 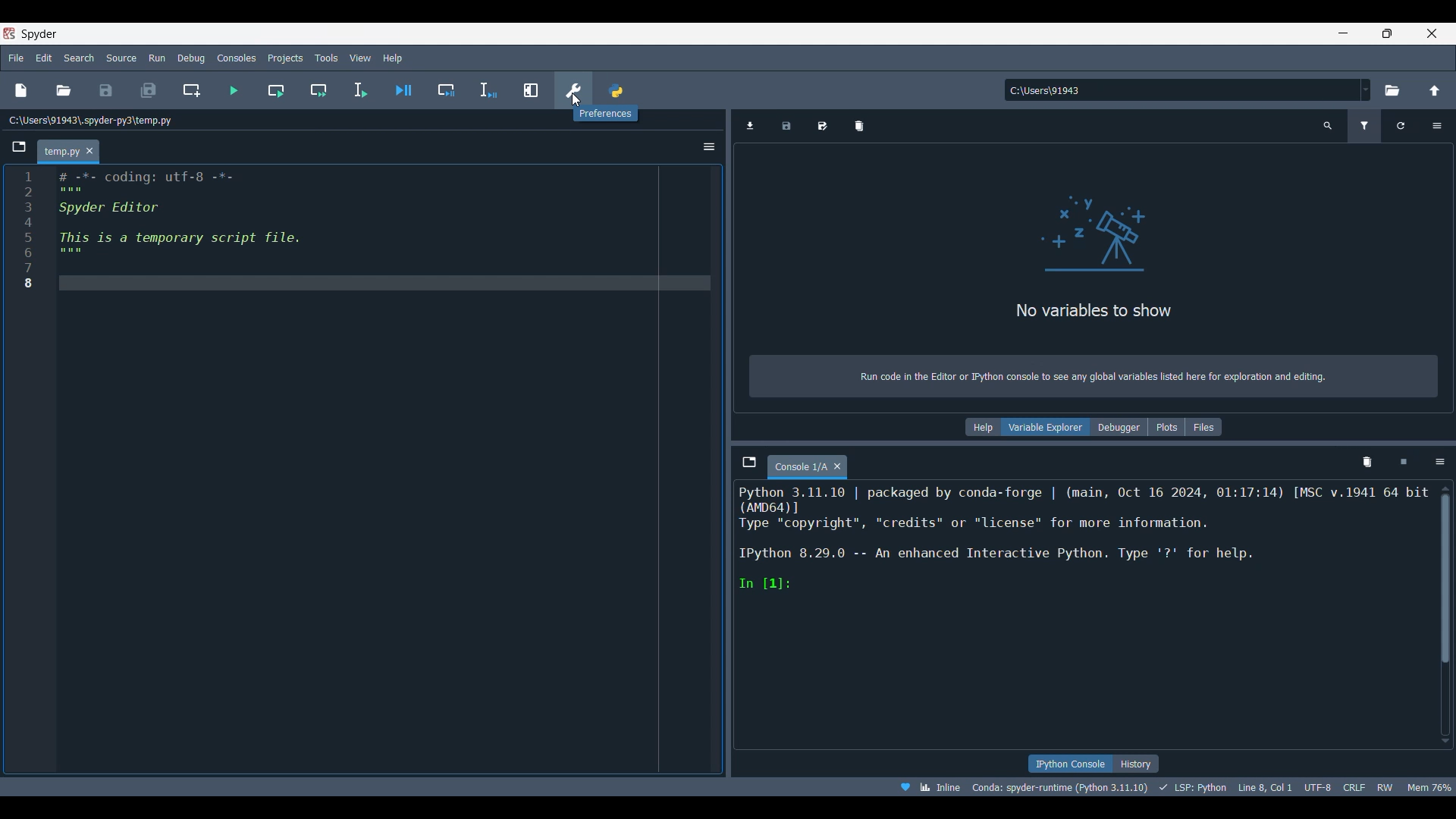 I want to click on cursor, so click(x=576, y=102).